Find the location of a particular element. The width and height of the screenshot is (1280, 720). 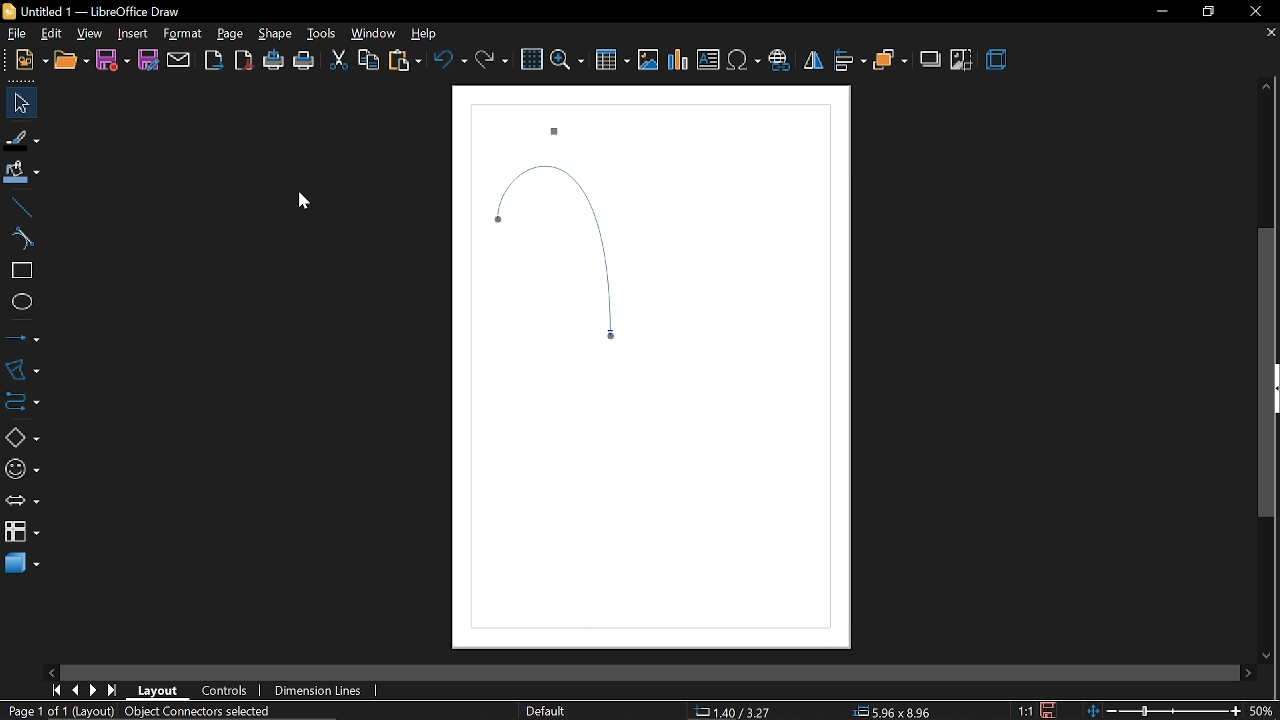

close current tab is located at coordinates (1270, 37).